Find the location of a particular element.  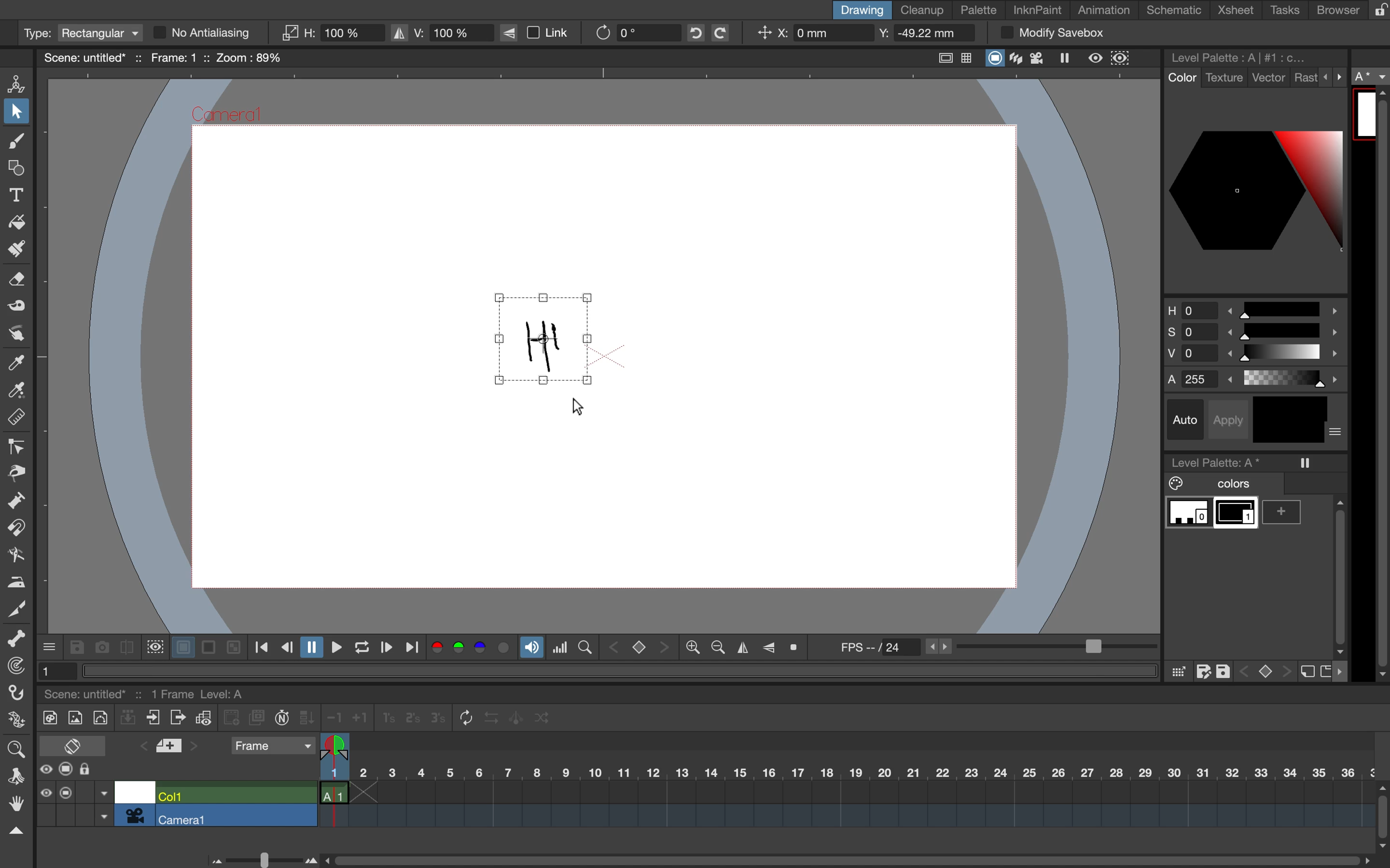

snapshot is located at coordinates (100, 646).